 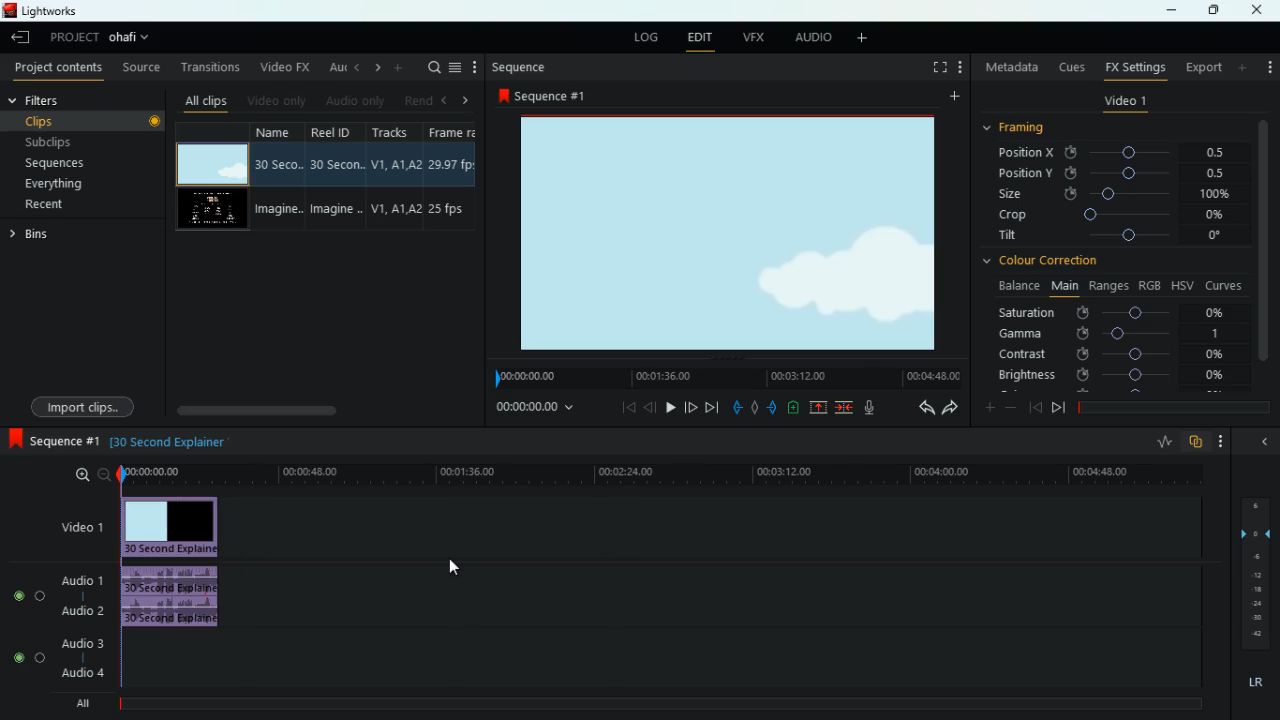 What do you see at coordinates (454, 163) in the screenshot?
I see `29.97 fbs` at bounding box center [454, 163].